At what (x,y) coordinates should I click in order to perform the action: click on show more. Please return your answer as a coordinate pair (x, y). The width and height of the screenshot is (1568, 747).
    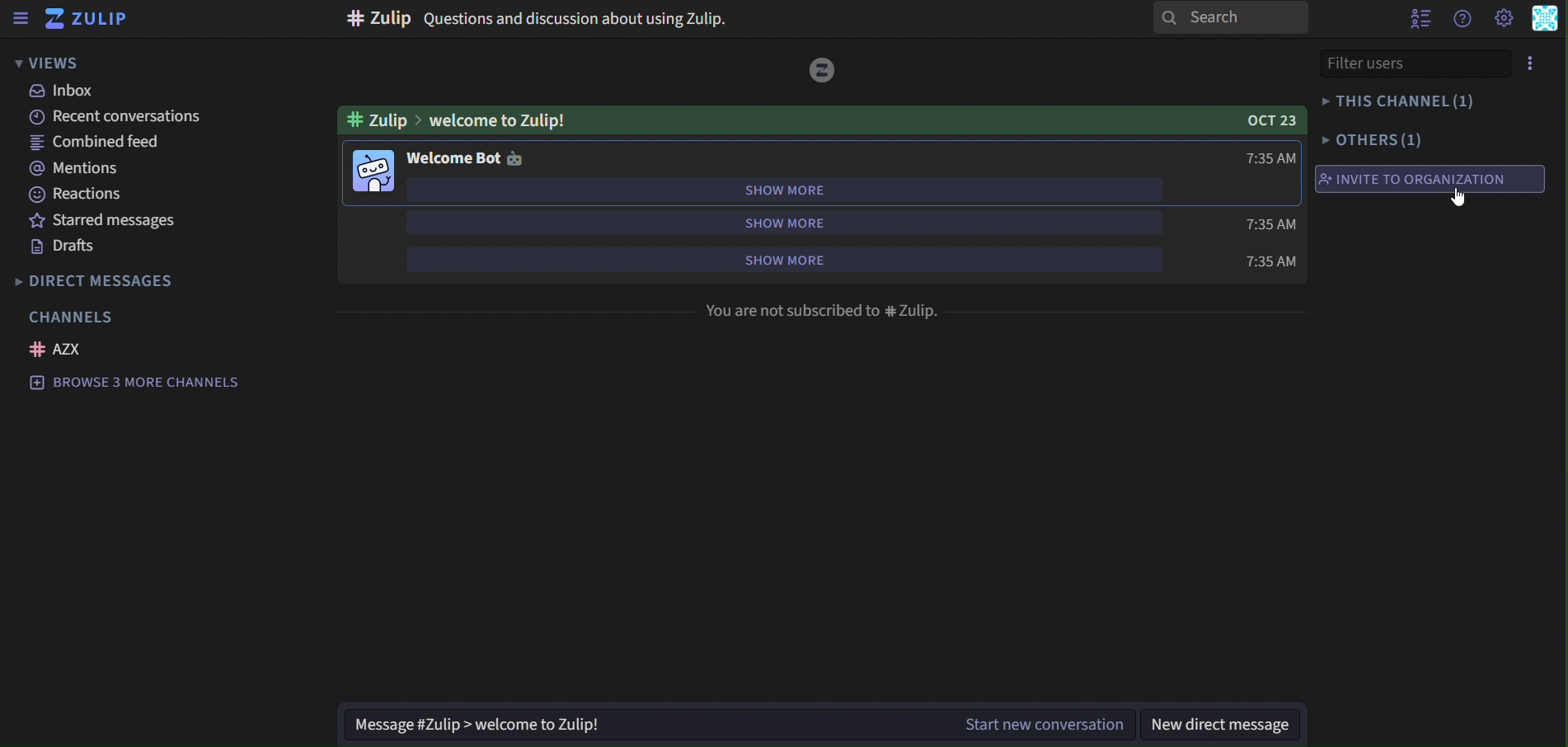
    Looking at the image, I should click on (791, 190).